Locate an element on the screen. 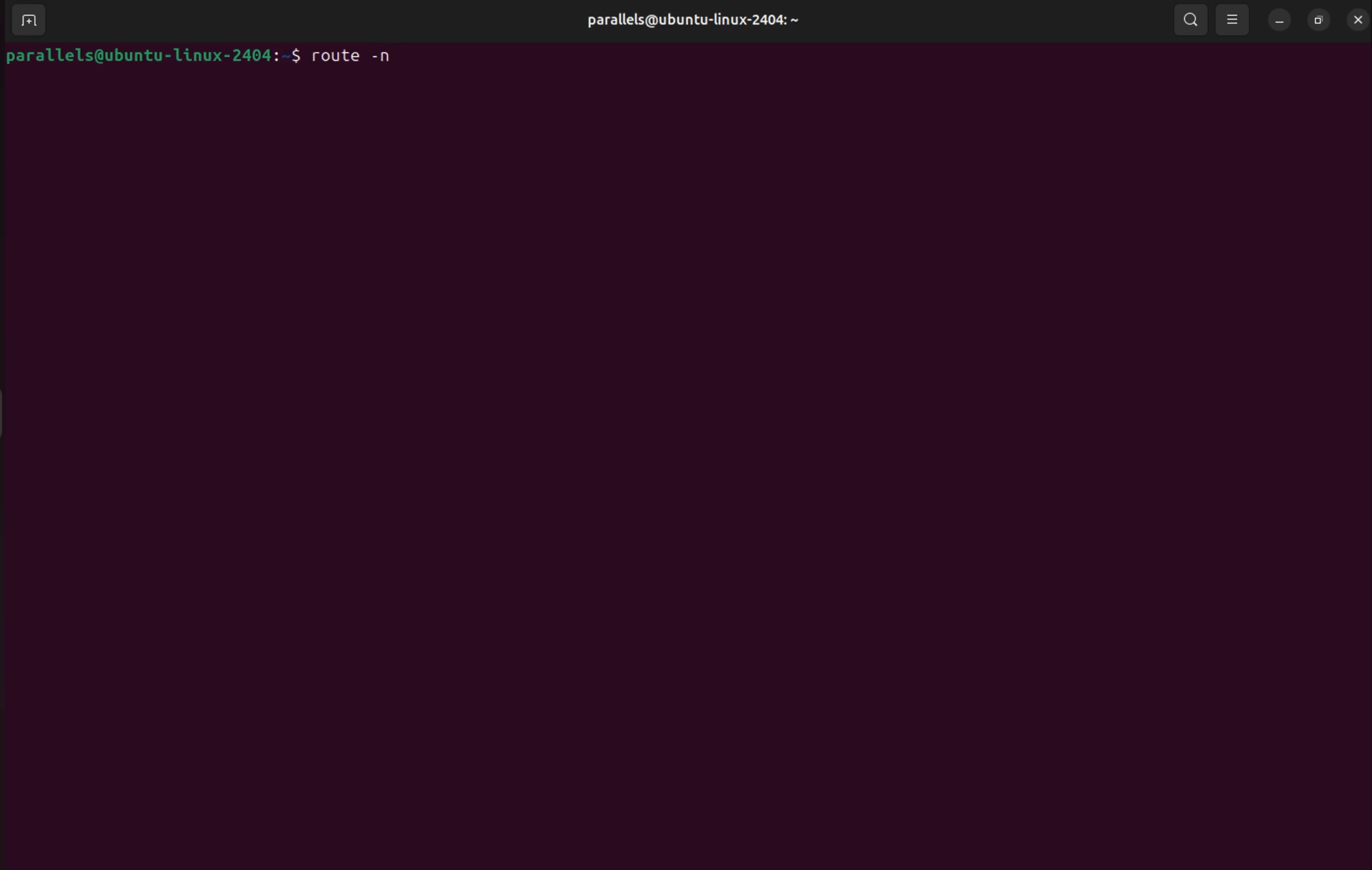 The image size is (1372, 870). minimize is located at coordinates (1277, 19).